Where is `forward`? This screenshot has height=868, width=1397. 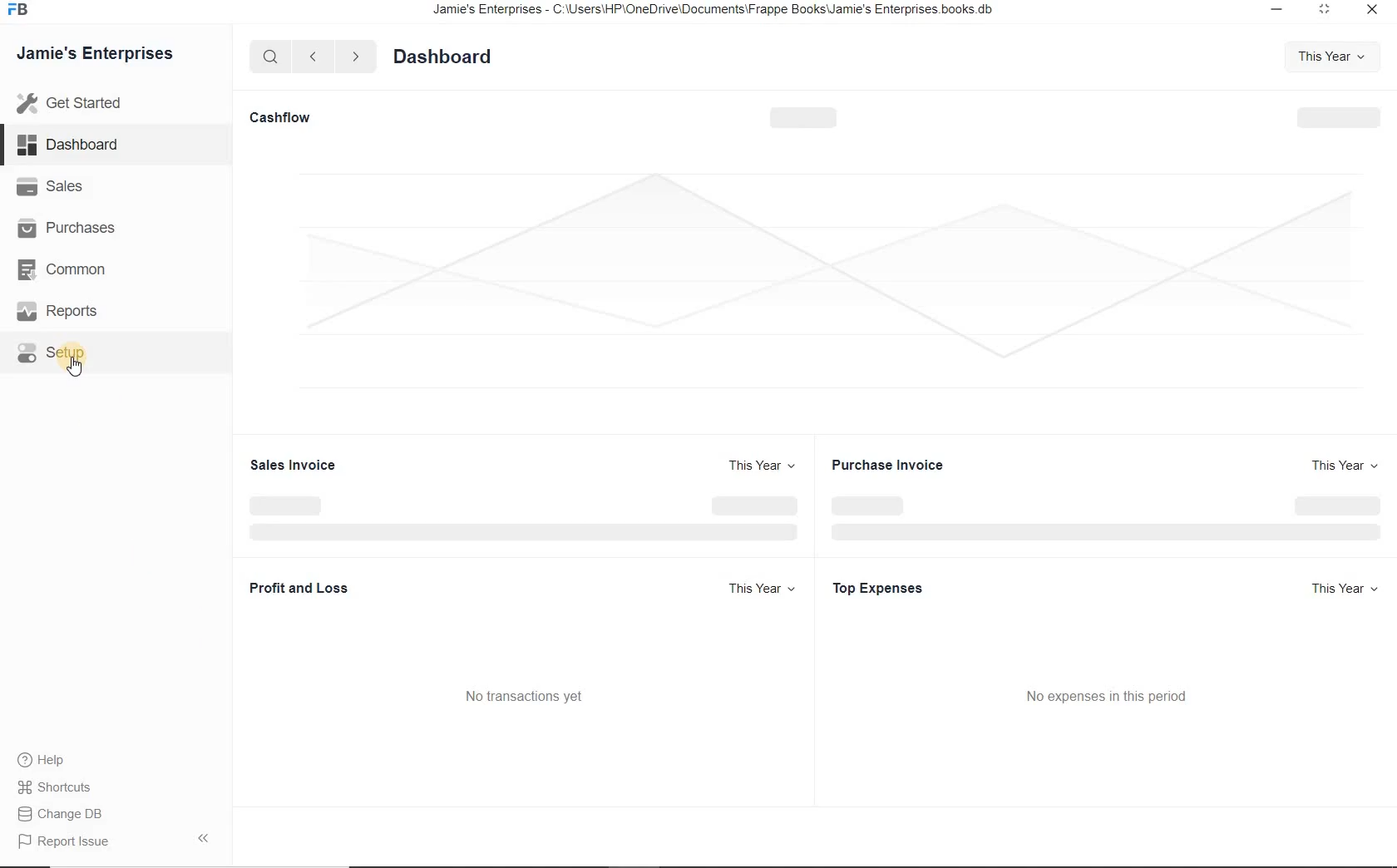
forward is located at coordinates (357, 57).